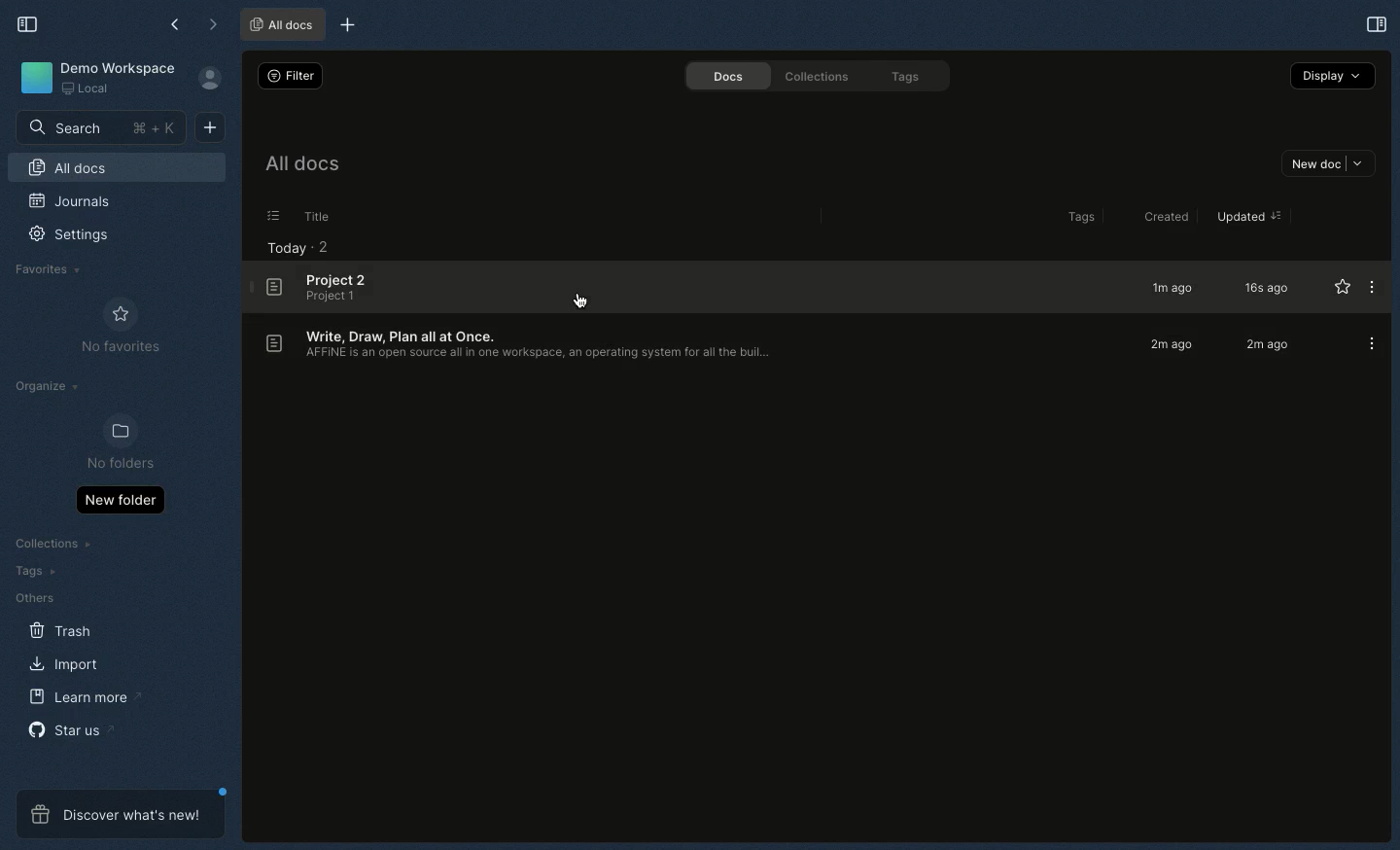 Image resolution: width=1400 pixels, height=850 pixels. Describe the element at coordinates (34, 571) in the screenshot. I see `Tags` at that location.